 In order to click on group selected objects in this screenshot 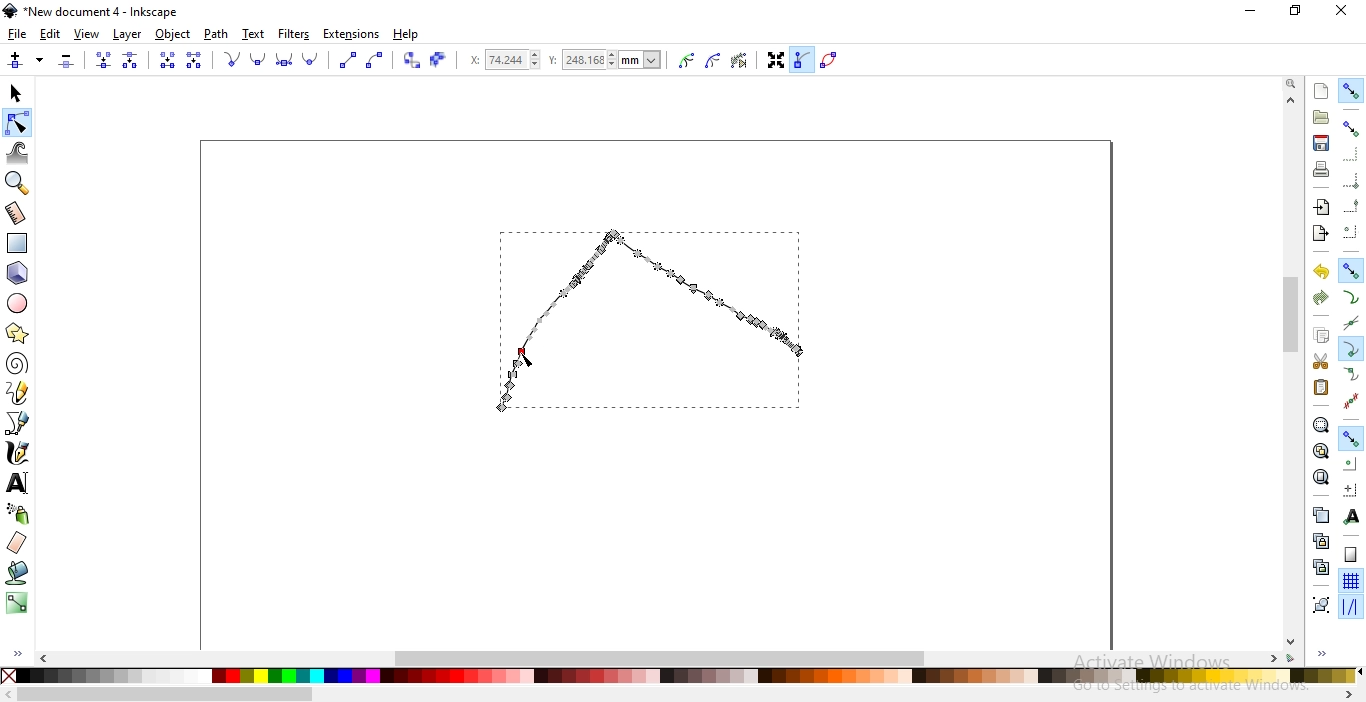, I will do `click(1321, 604)`.